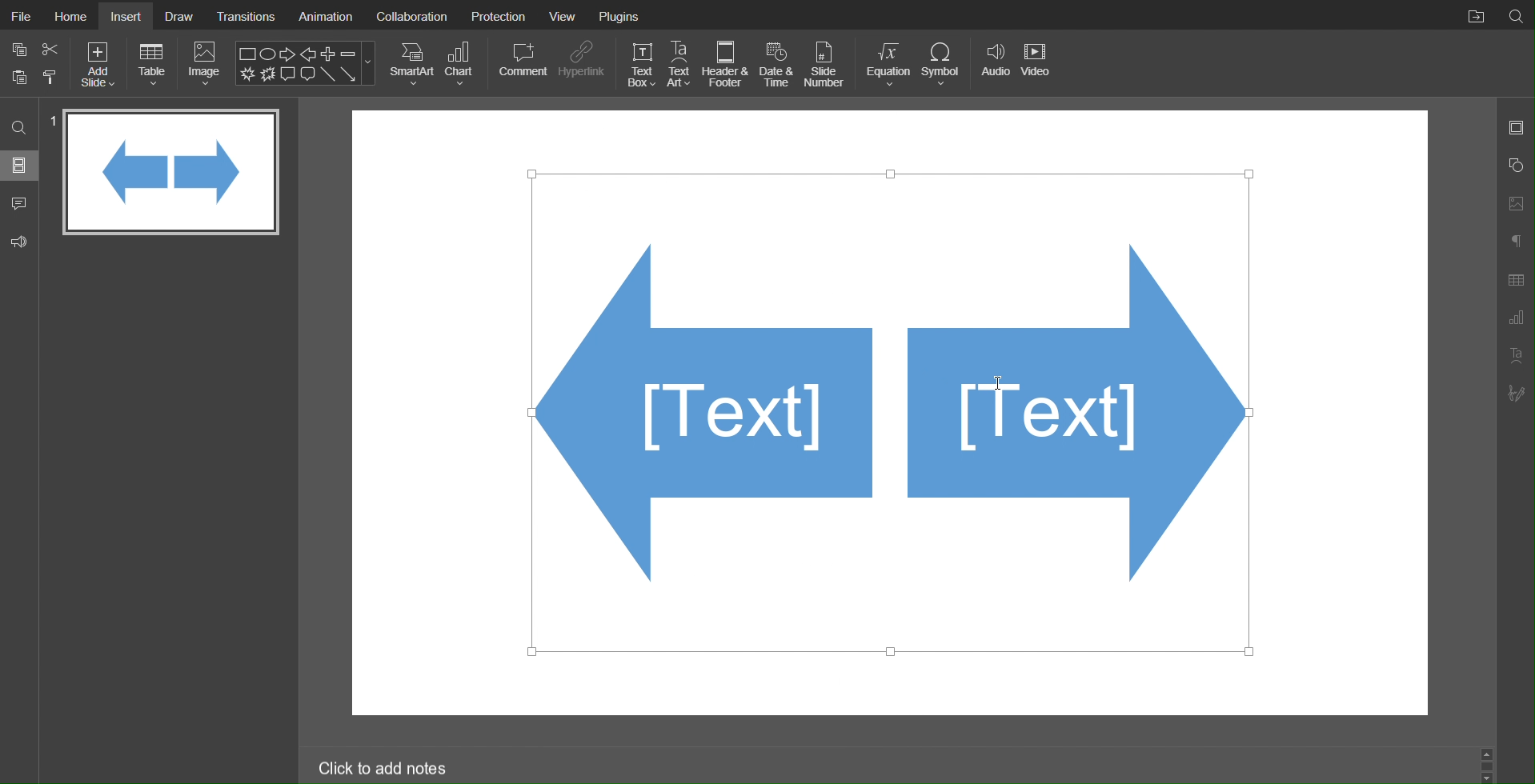 Image resolution: width=1535 pixels, height=784 pixels. Describe the element at coordinates (411, 64) in the screenshot. I see `SmartArt` at that location.